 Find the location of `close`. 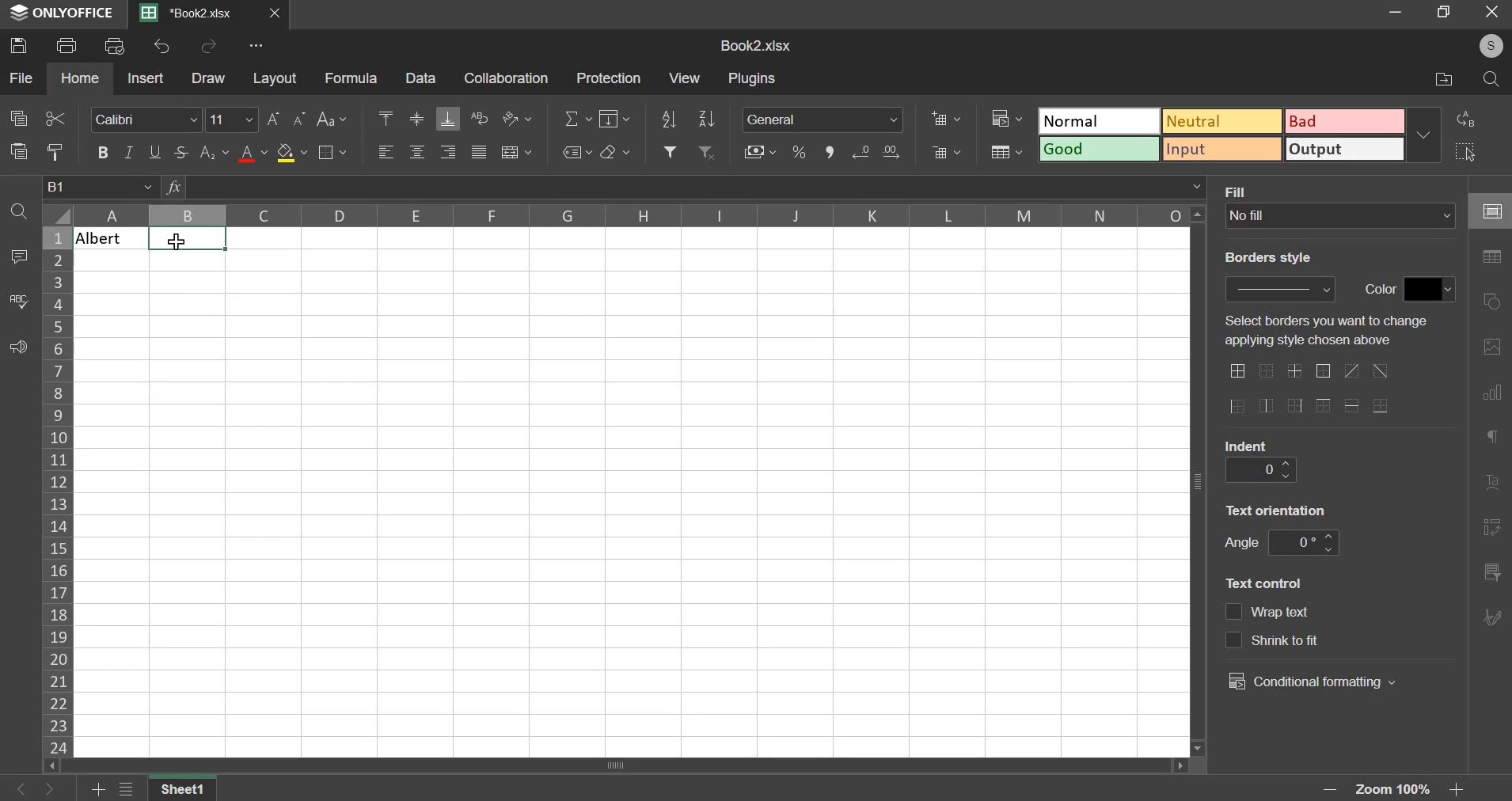

close is located at coordinates (277, 13).